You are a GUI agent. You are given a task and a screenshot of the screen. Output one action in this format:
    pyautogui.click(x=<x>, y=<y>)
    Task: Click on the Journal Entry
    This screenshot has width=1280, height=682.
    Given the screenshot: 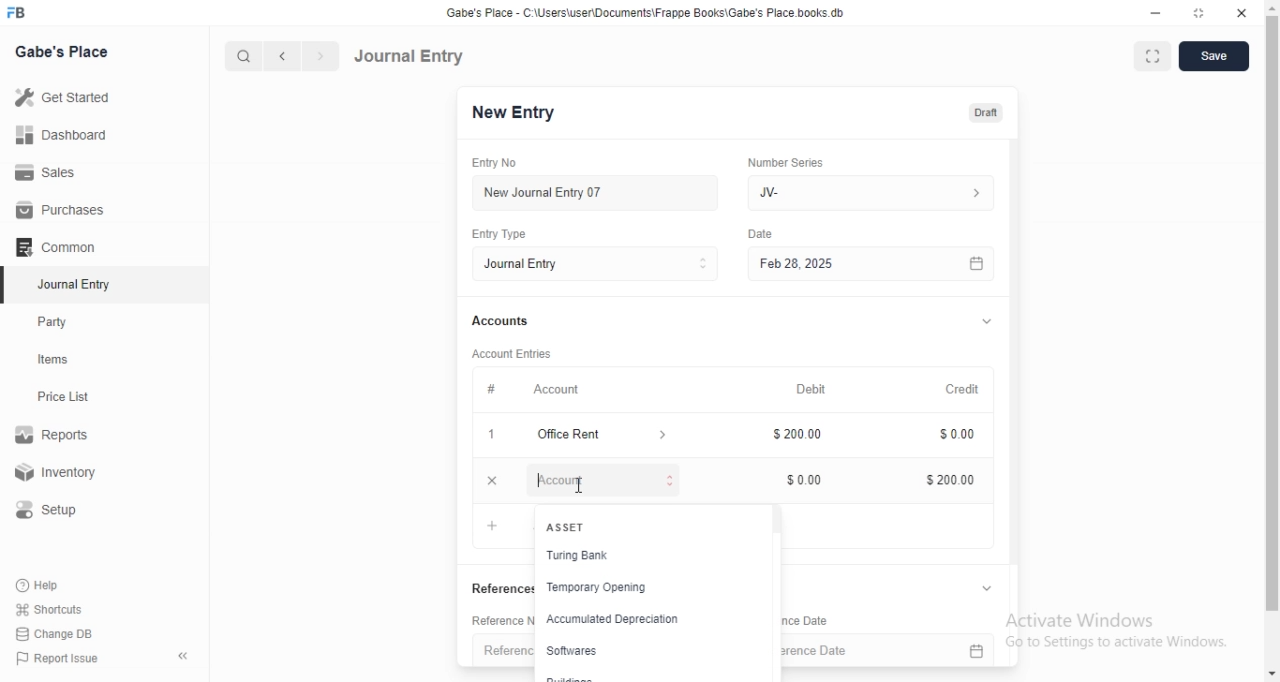 What is the action you would take?
    pyautogui.click(x=409, y=56)
    